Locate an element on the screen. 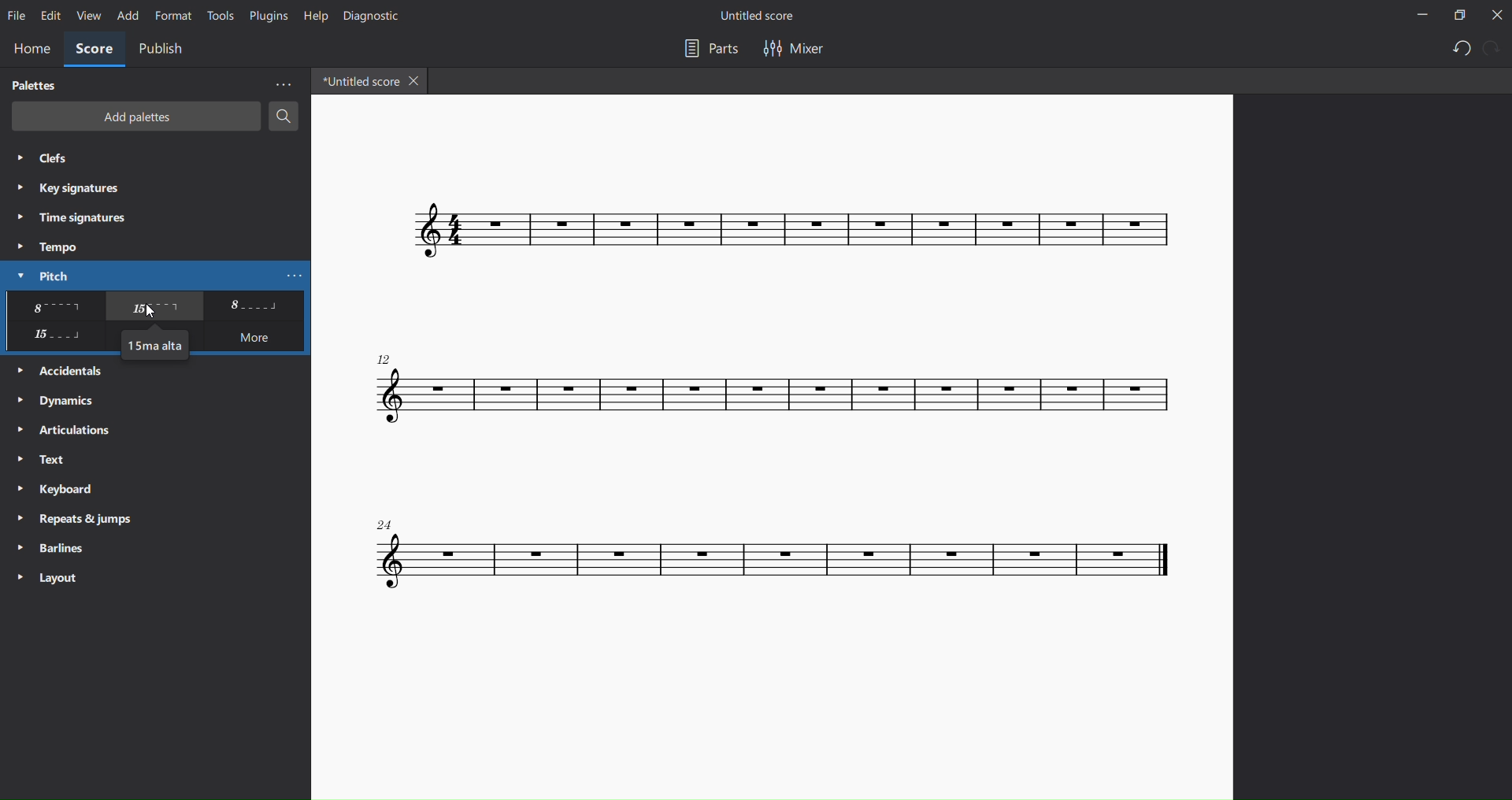  other pichtes is located at coordinates (154, 306).